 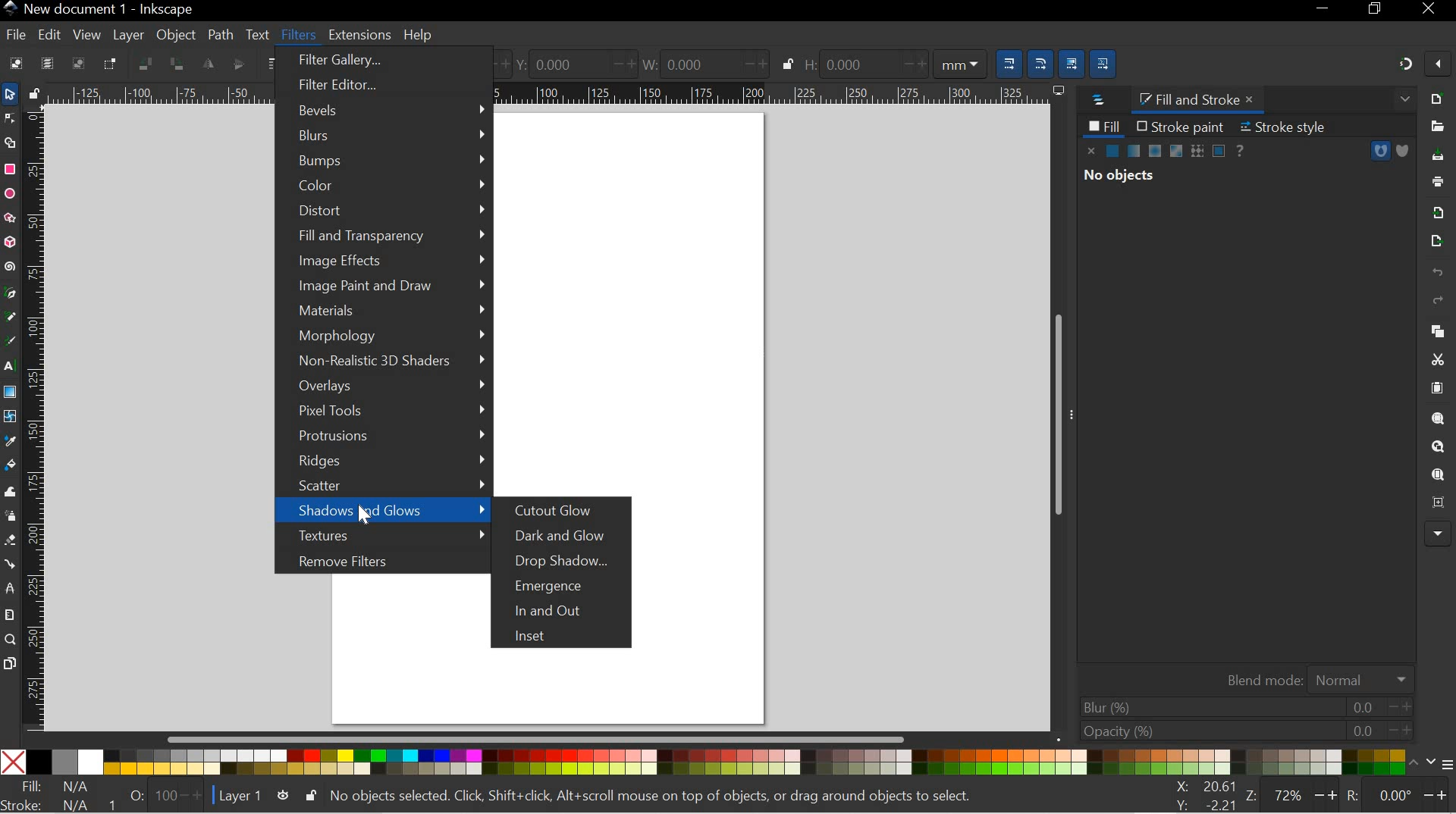 What do you see at coordinates (49, 34) in the screenshot?
I see `EDIT` at bounding box center [49, 34].